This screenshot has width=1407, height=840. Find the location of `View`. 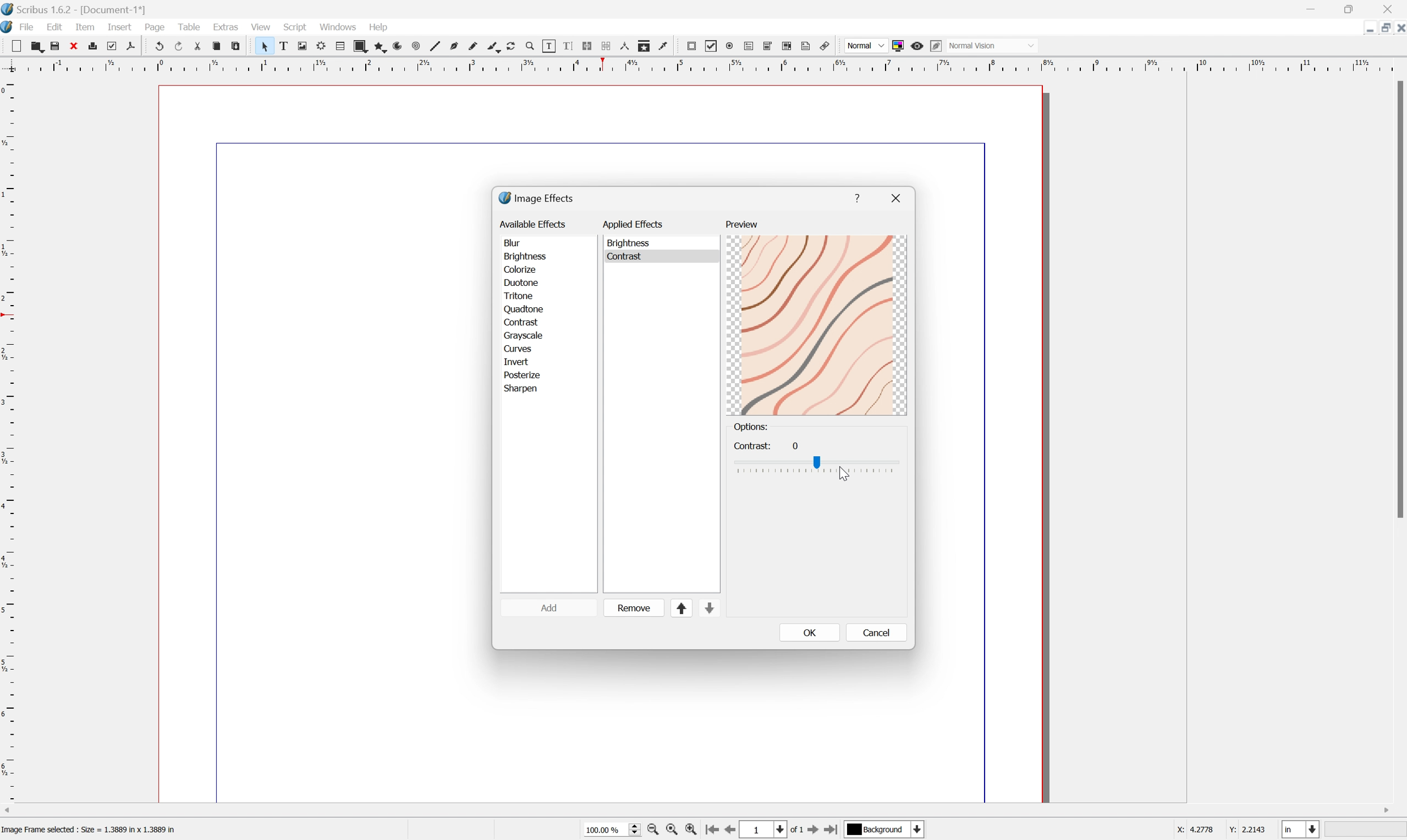

View is located at coordinates (261, 27).